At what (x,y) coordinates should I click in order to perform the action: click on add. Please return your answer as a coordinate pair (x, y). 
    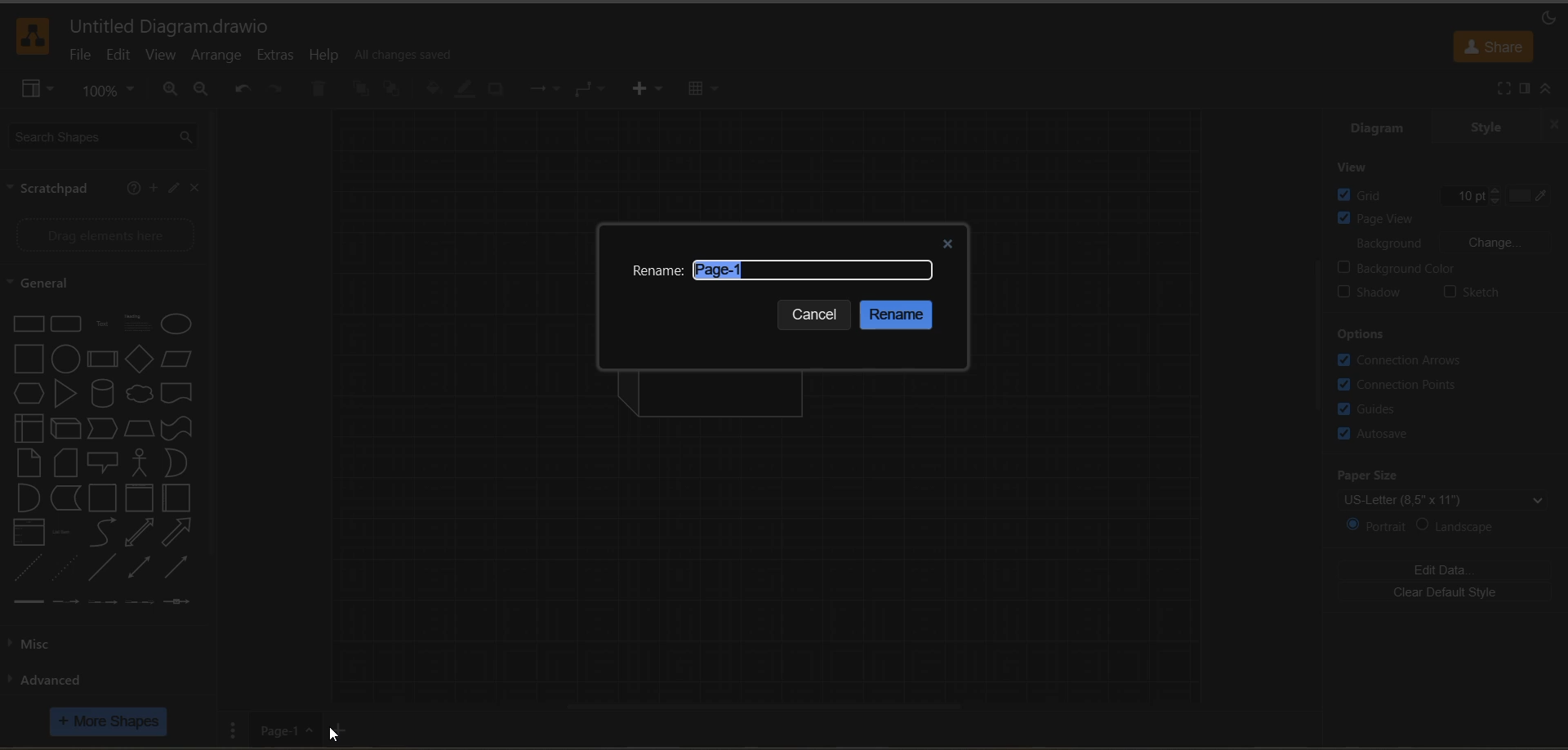
    Looking at the image, I should click on (151, 188).